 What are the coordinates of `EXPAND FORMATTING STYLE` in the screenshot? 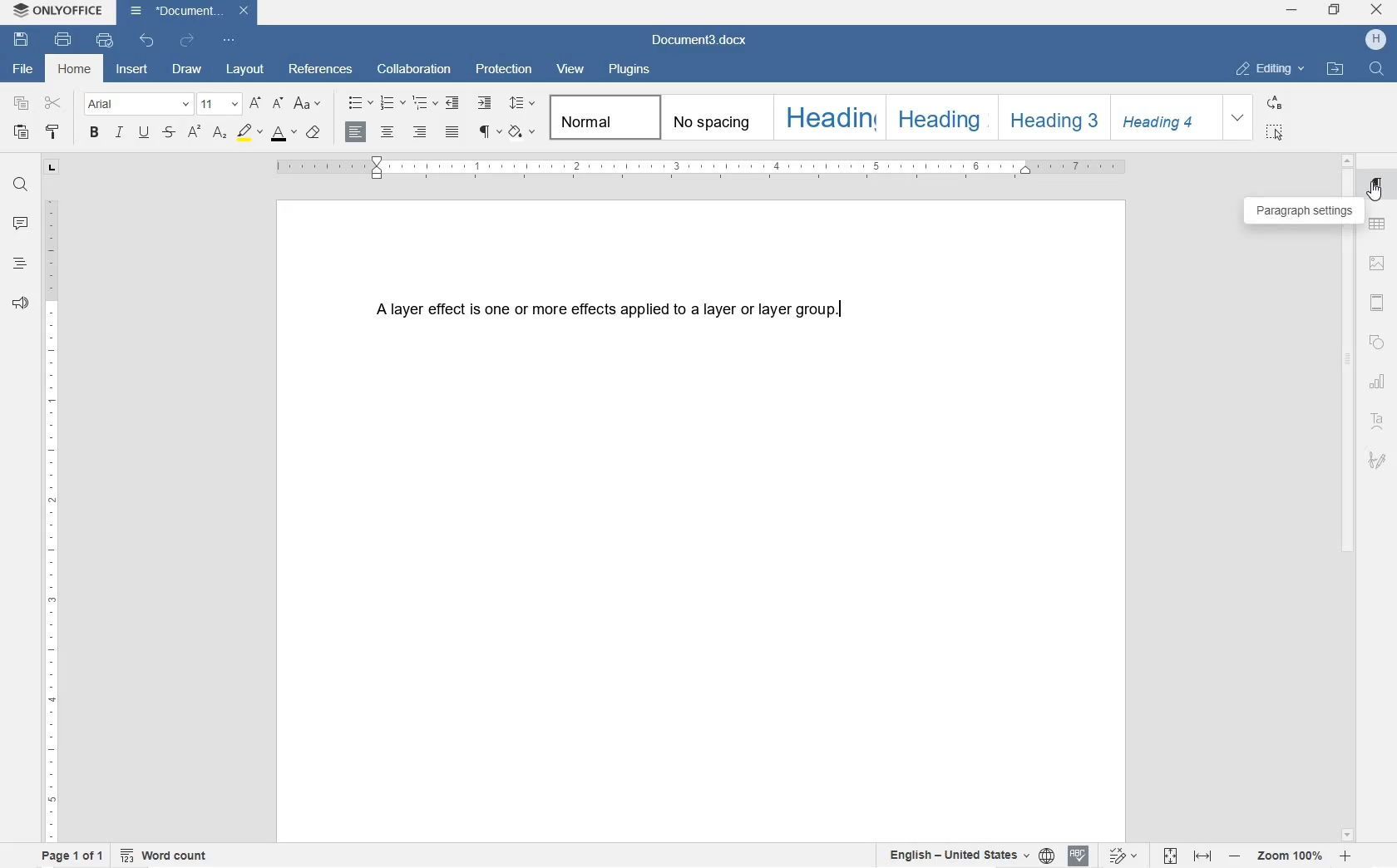 It's located at (1240, 119).